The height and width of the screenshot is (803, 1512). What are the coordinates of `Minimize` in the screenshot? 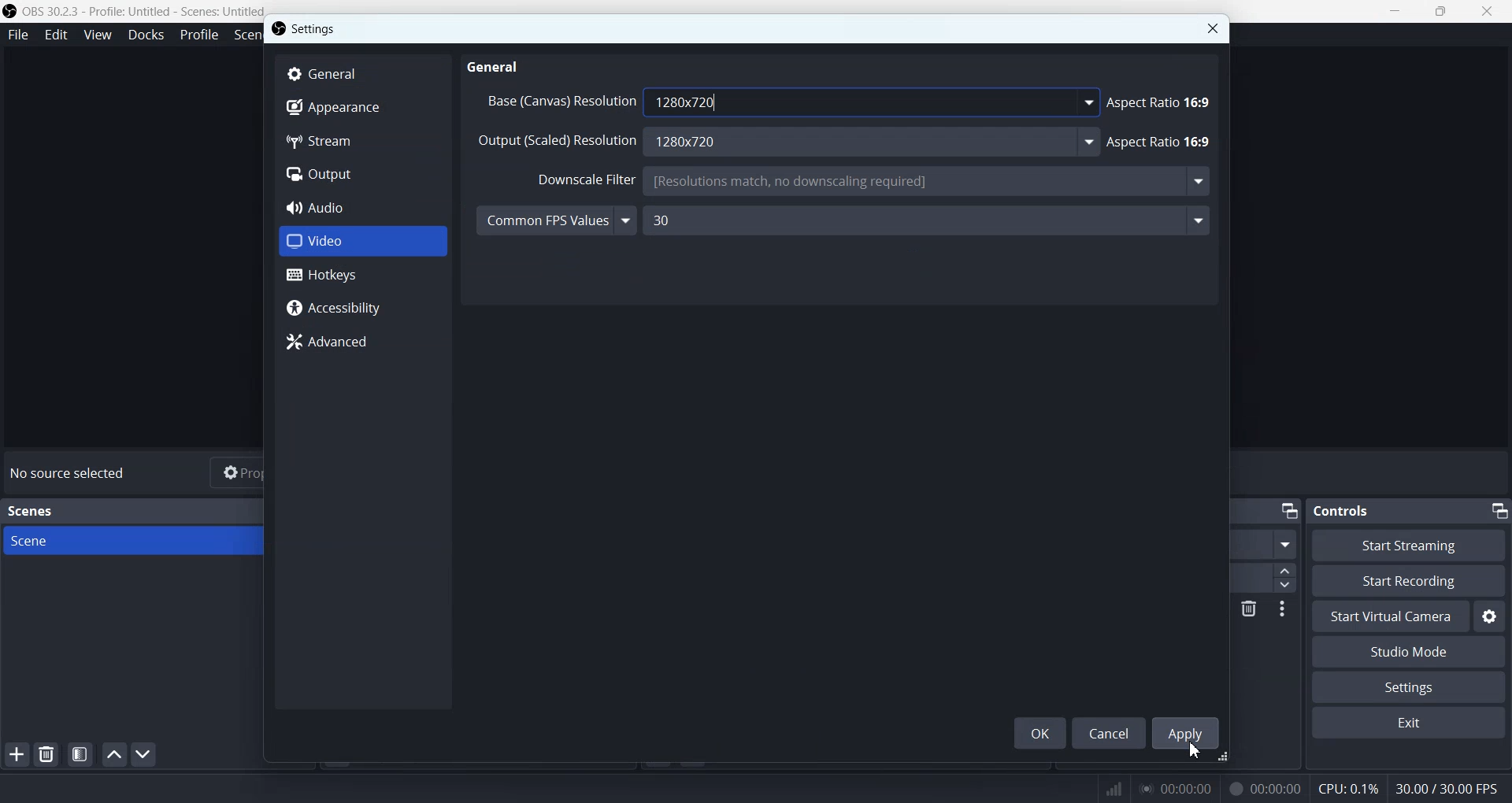 It's located at (1498, 509).